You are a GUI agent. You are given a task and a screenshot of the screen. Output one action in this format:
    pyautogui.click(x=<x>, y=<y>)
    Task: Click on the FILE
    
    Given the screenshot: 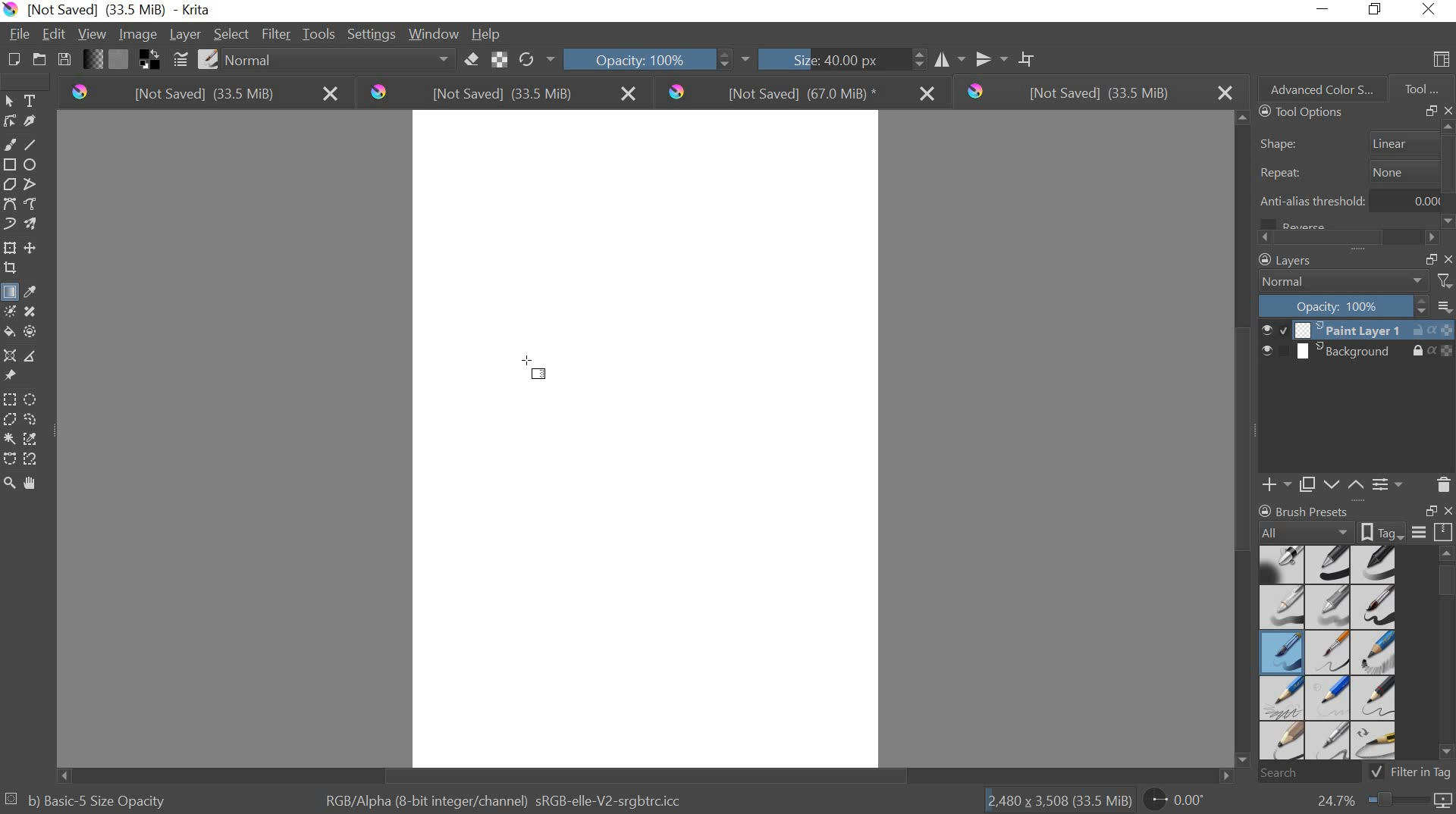 What is the action you would take?
    pyautogui.click(x=18, y=34)
    